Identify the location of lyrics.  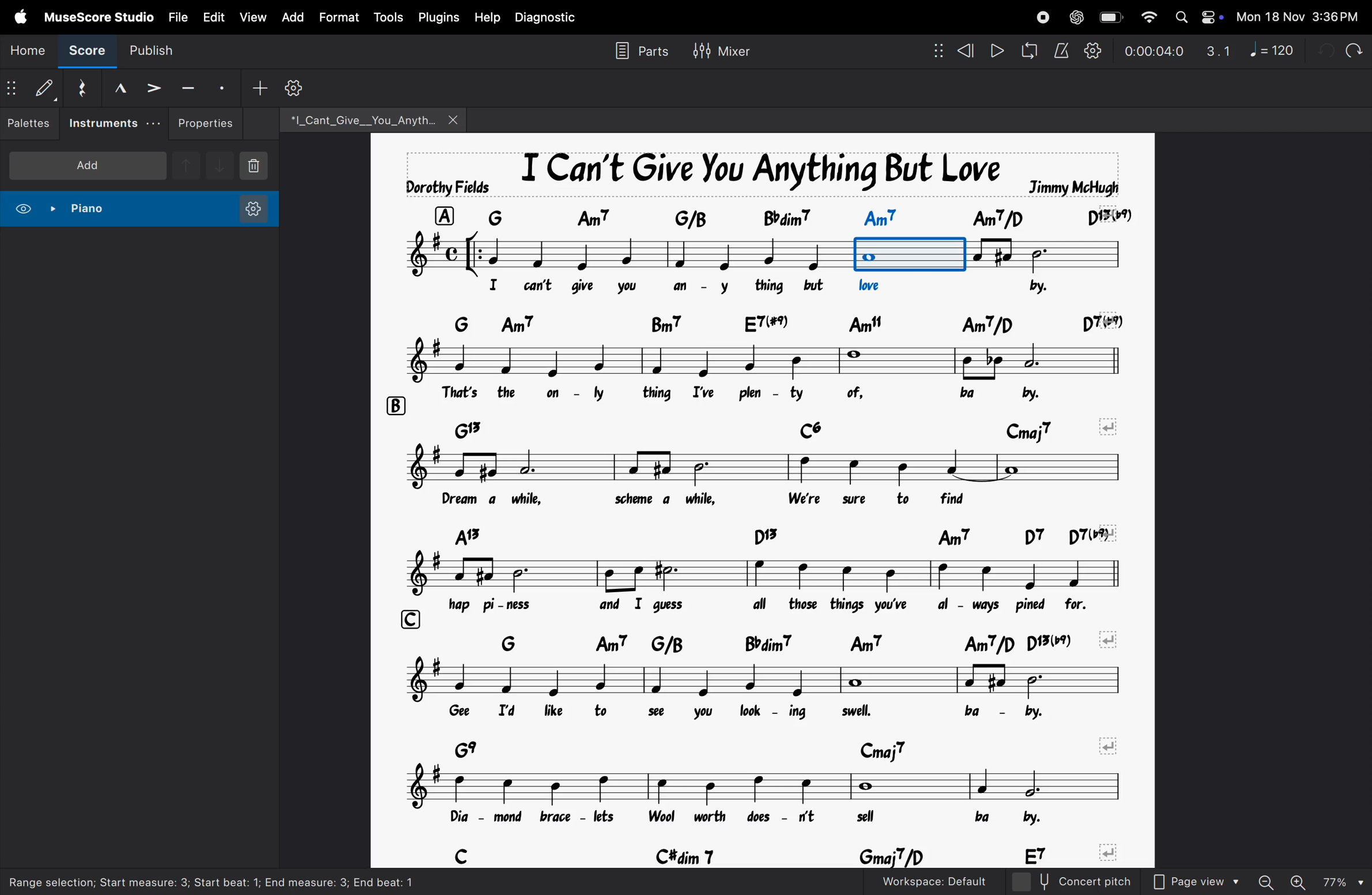
(783, 499).